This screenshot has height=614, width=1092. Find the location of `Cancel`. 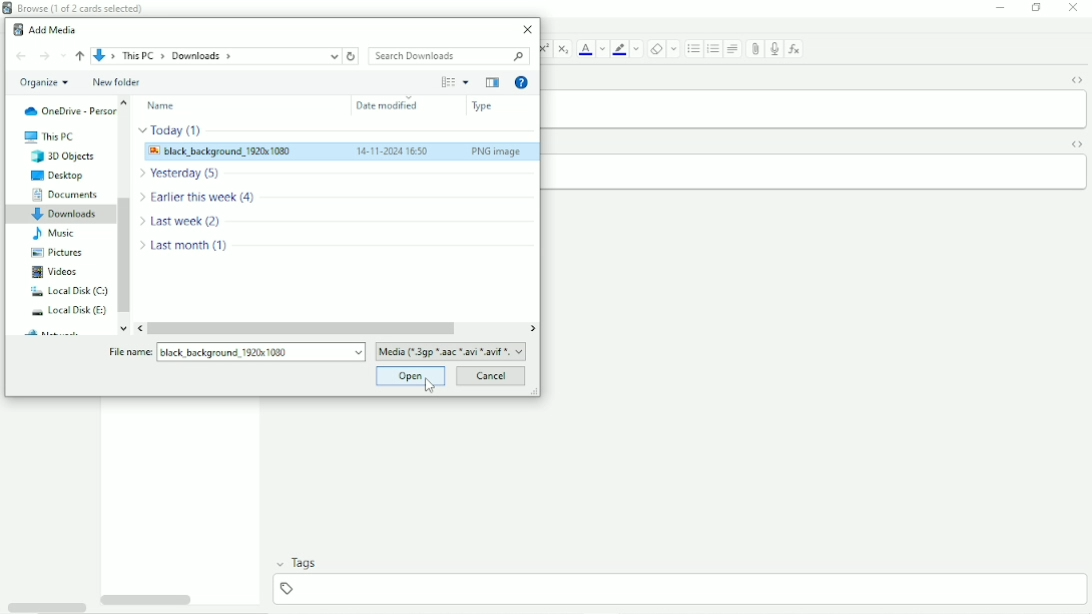

Cancel is located at coordinates (491, 377).